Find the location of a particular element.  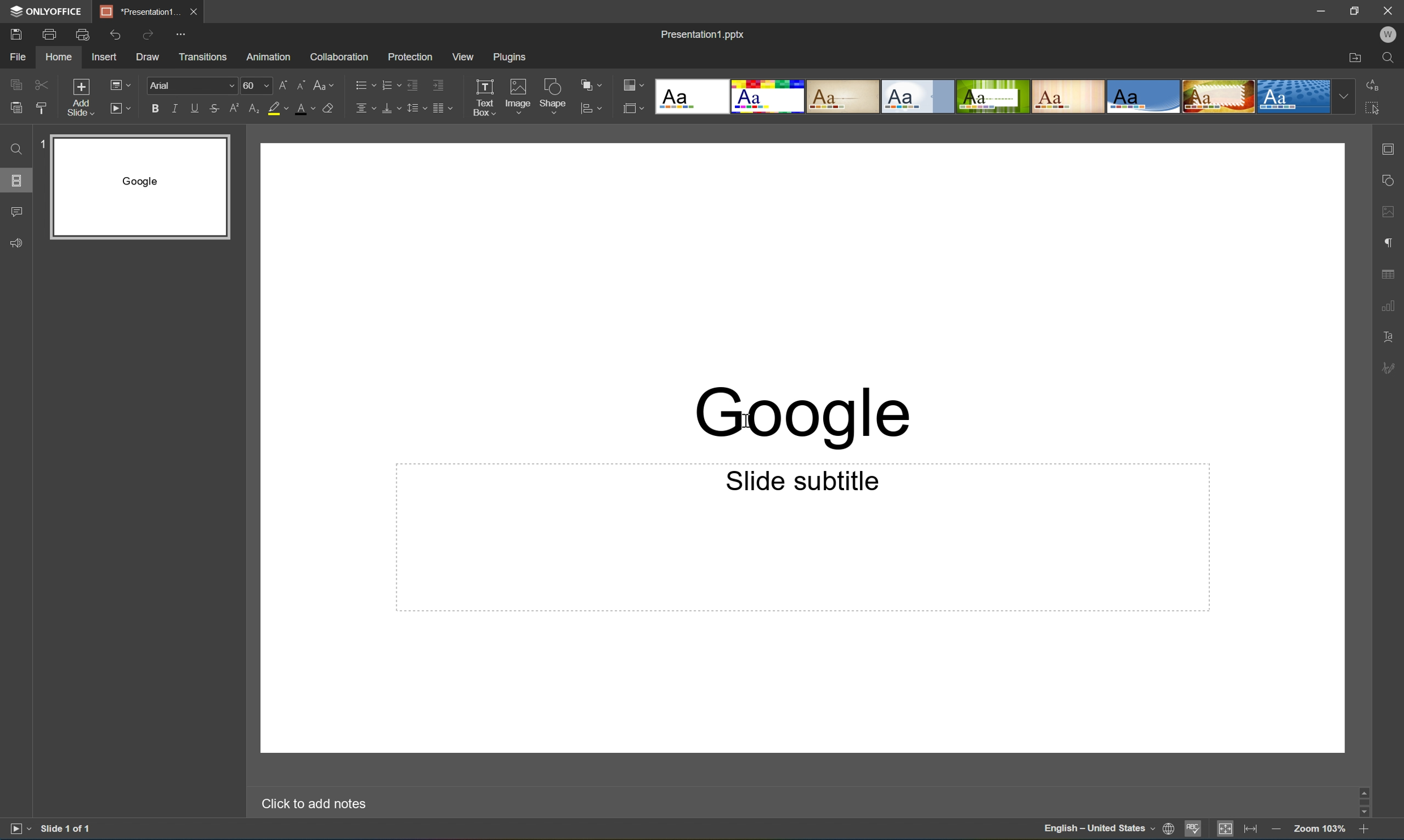

Save is located at coordinates (15, 35).